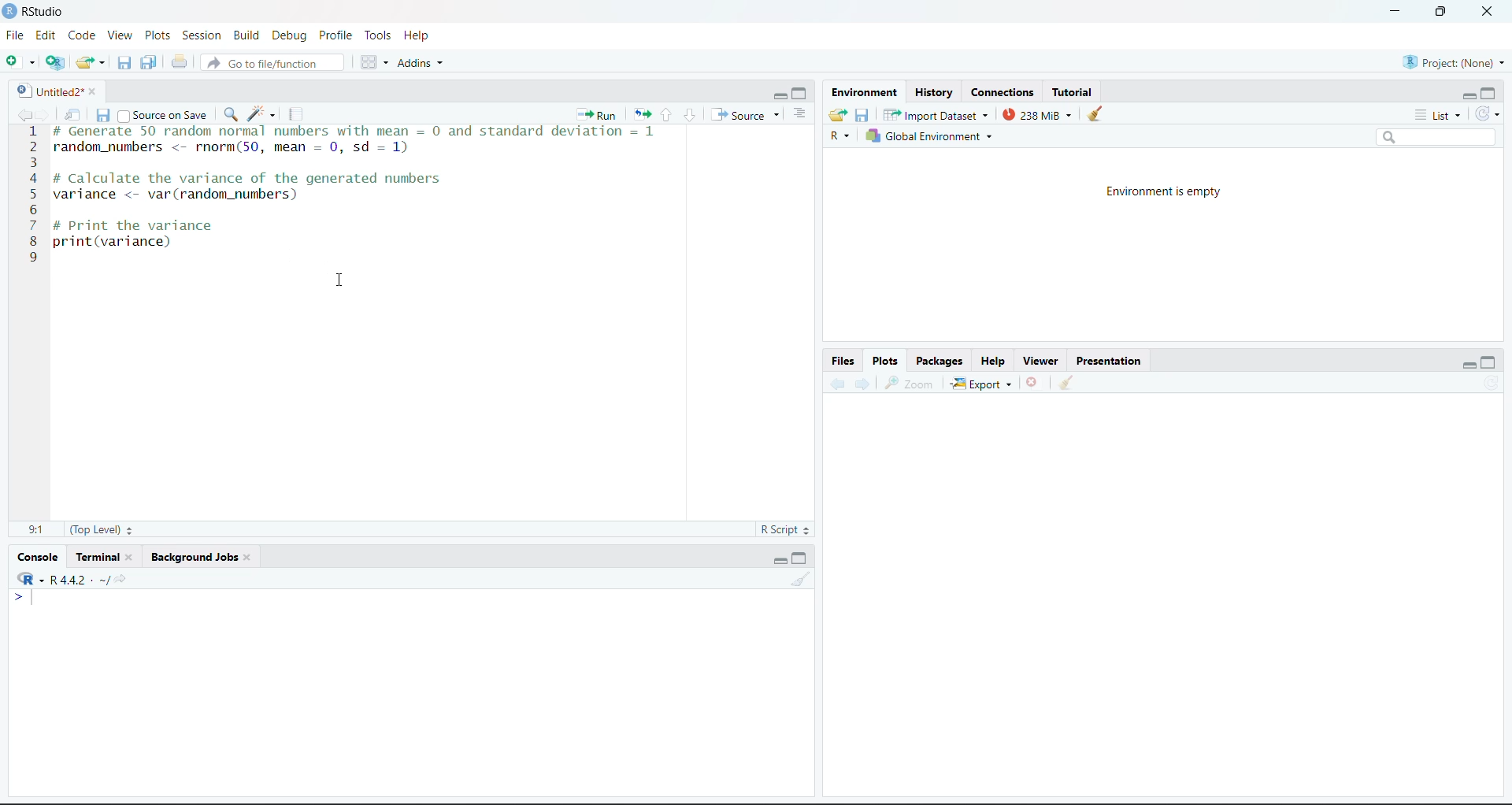 The image size is (1512, 805). Describe the element at coordinates (83, 35) in the screenshot. I see `Code` at that location.